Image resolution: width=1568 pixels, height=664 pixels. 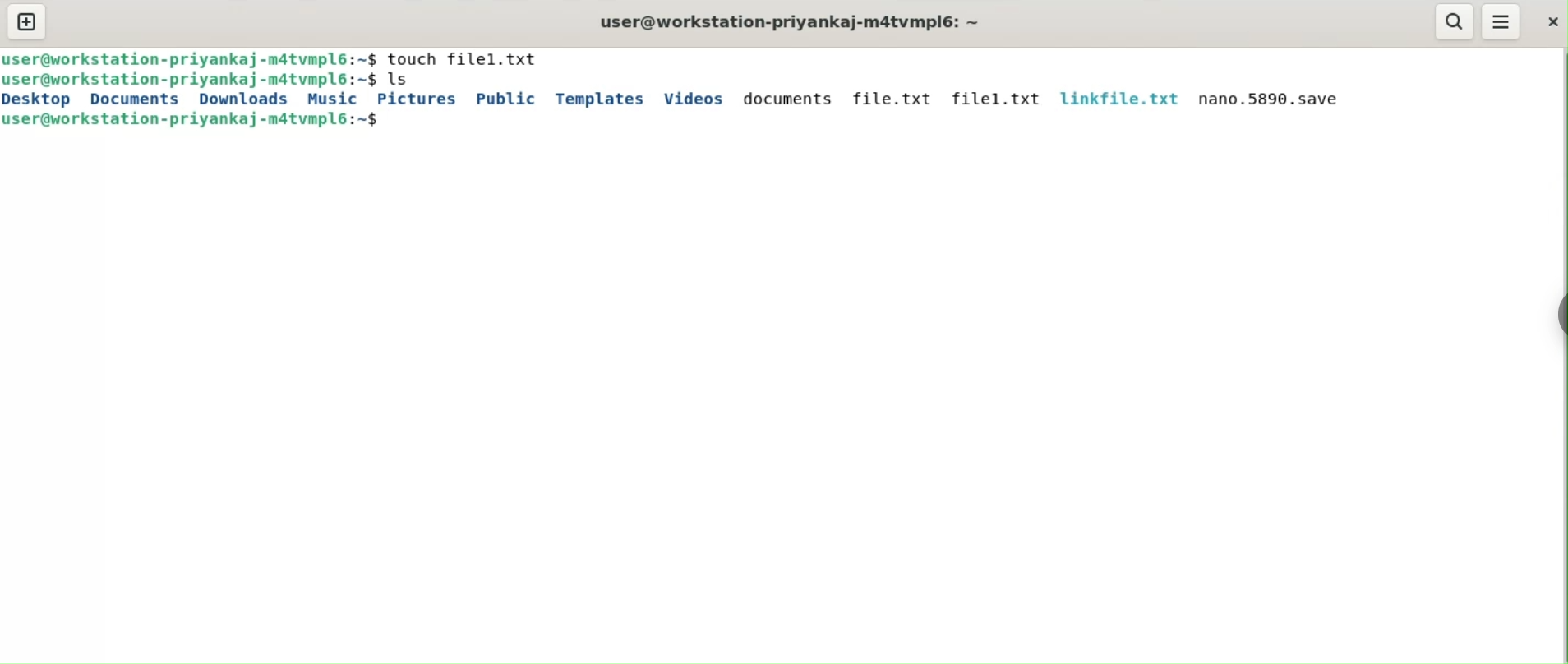 I want to click on downloads, so click(x=242, y=99).